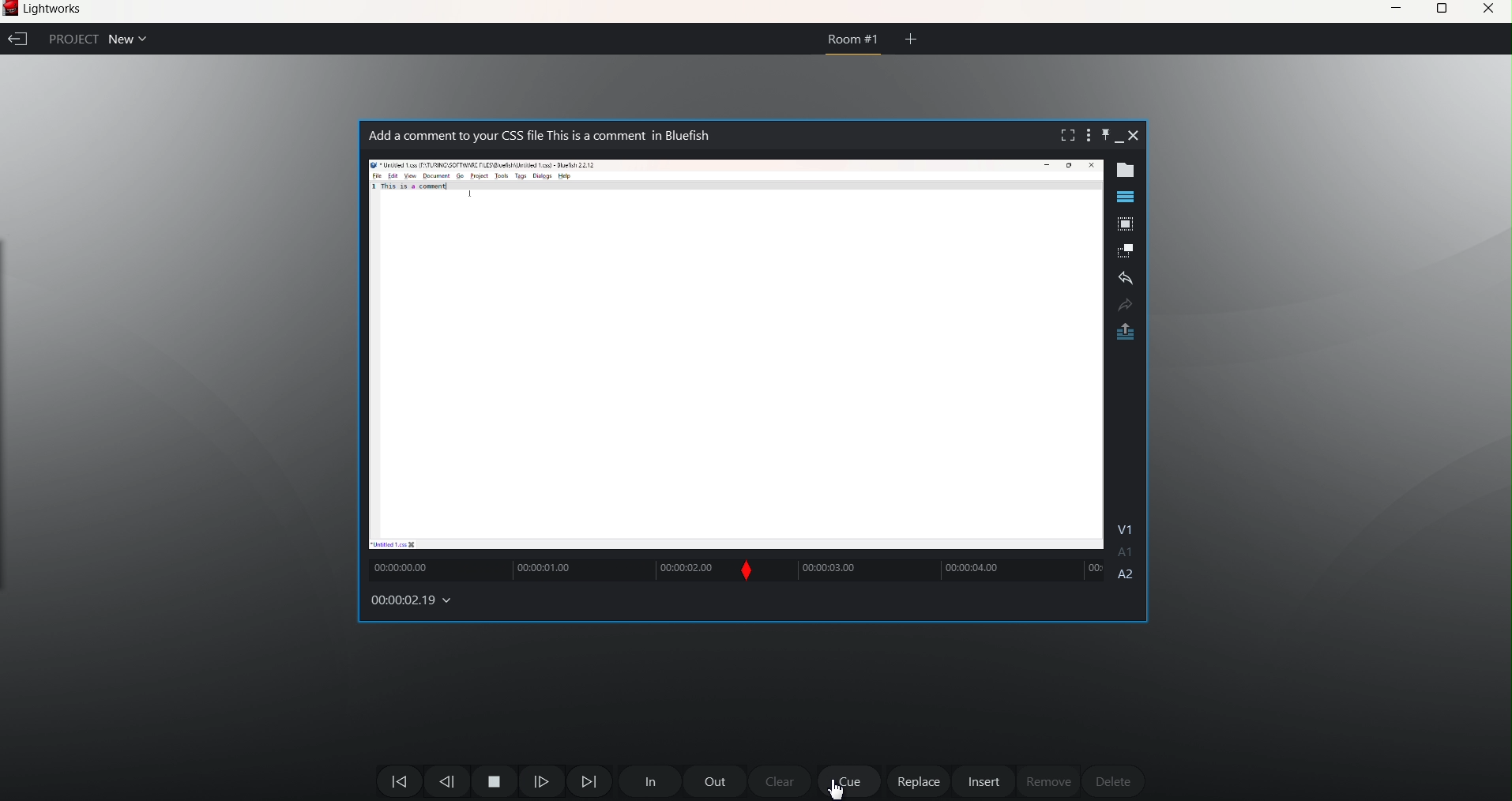 The width and height of the screenshot is (1512, 801). Describe the element at coordinates (920, 782) in the screenshot. I see `replace` at that location.